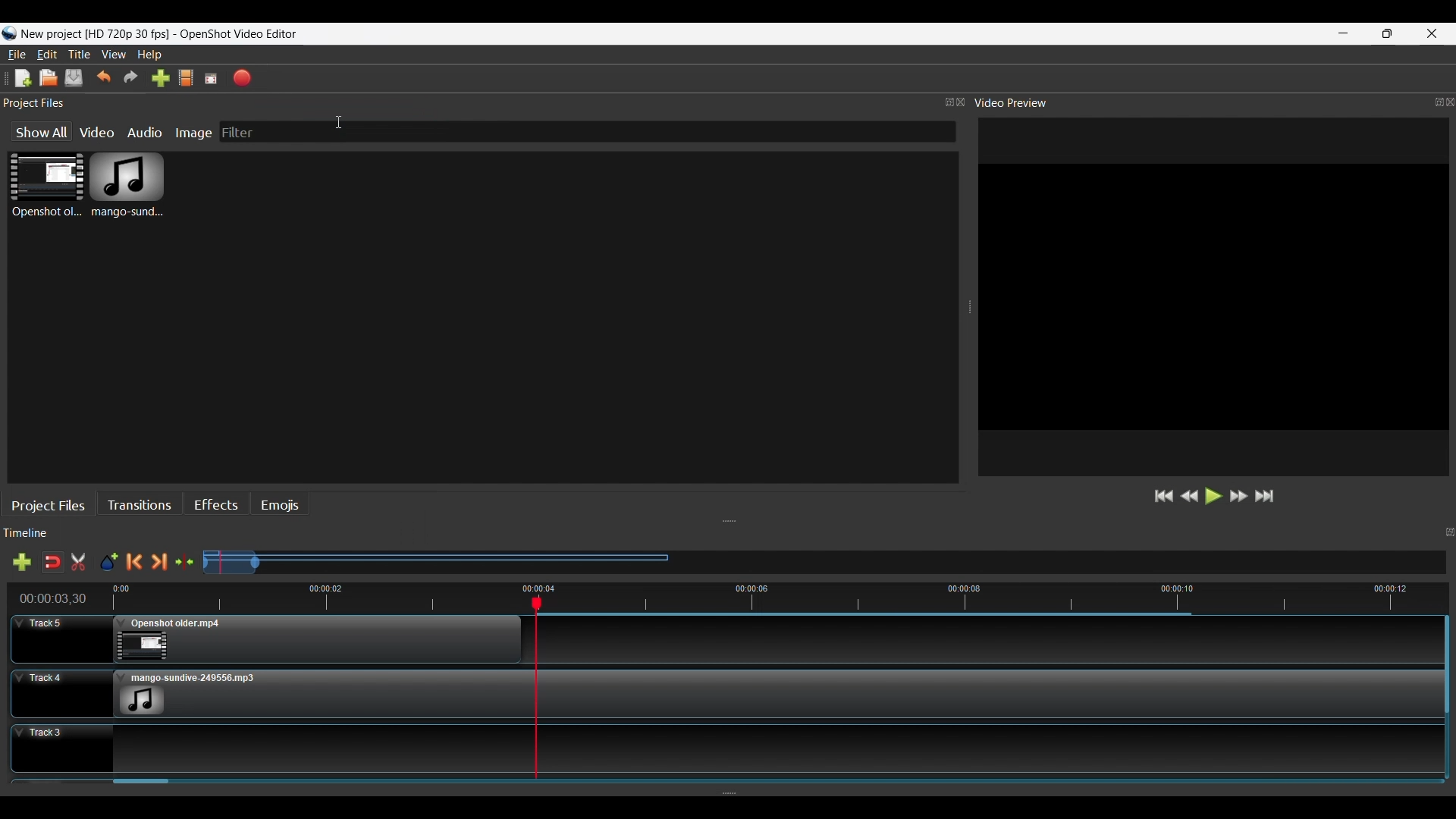  I want to click on Jump to End, so click(1266, 495).